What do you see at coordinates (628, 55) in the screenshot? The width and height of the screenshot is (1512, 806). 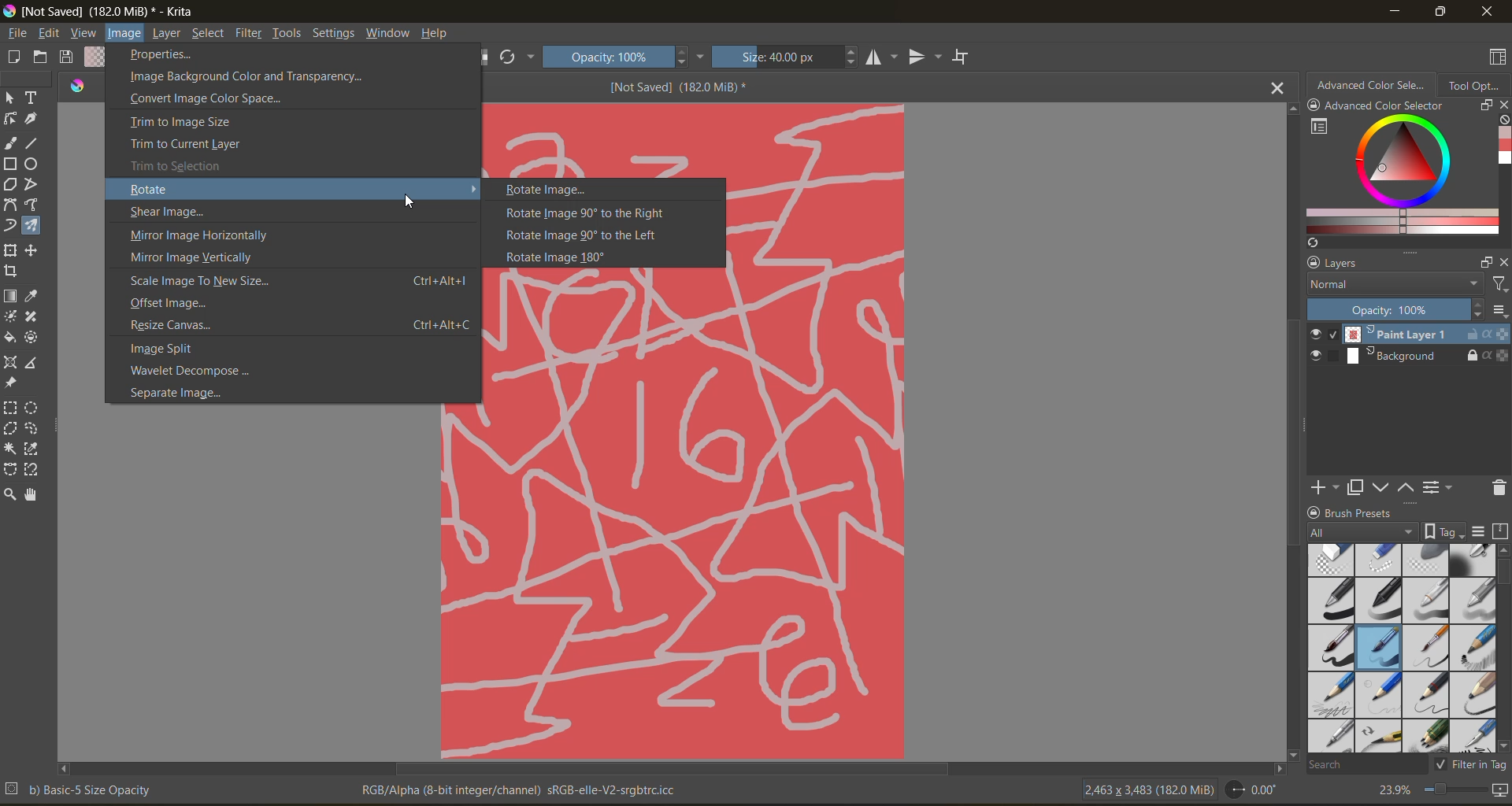 I see `opacity` at bounding box center [628, 55].